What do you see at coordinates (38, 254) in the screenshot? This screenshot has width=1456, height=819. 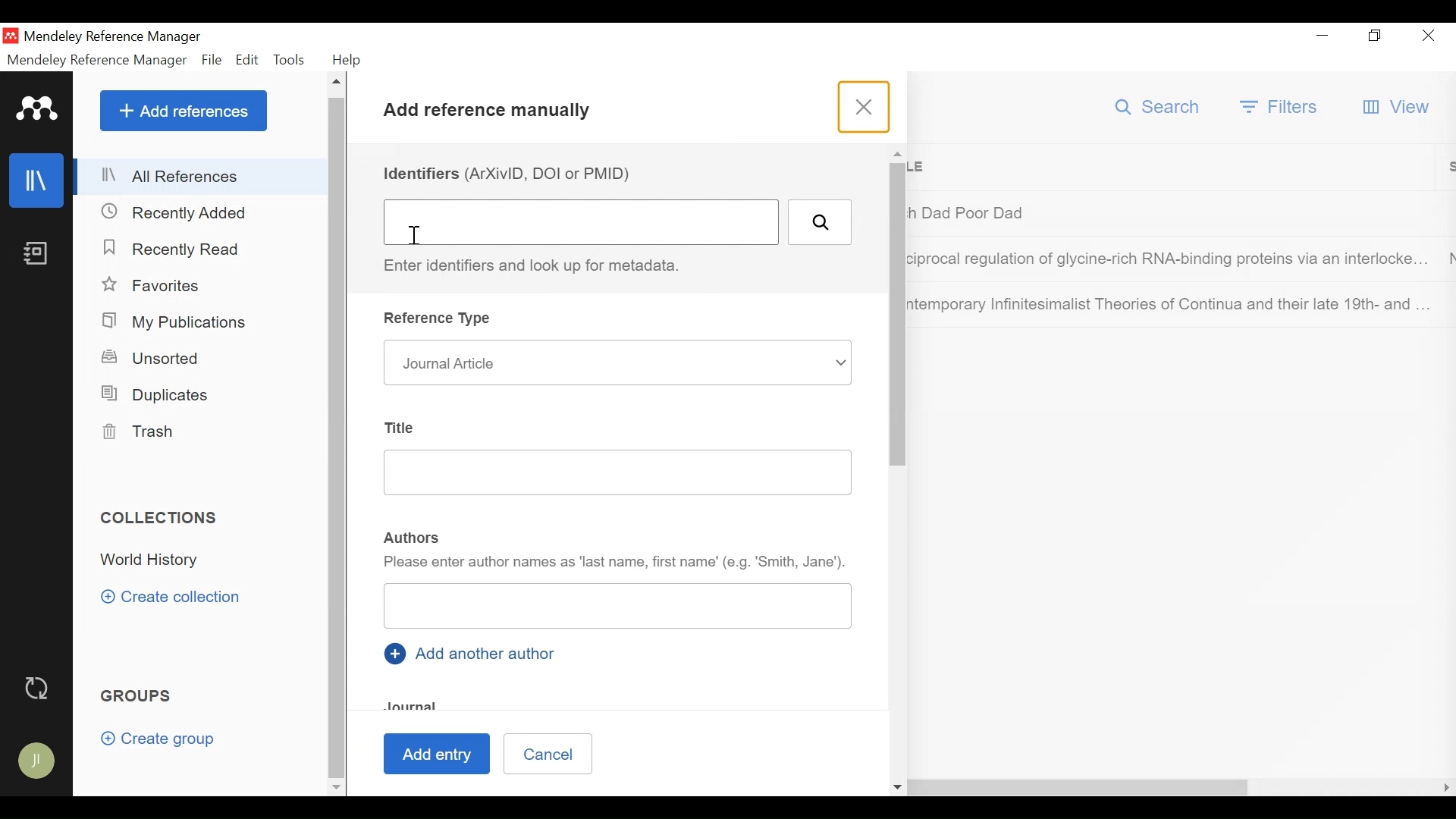 I see `Notebook` at bounding box center [38, 254].